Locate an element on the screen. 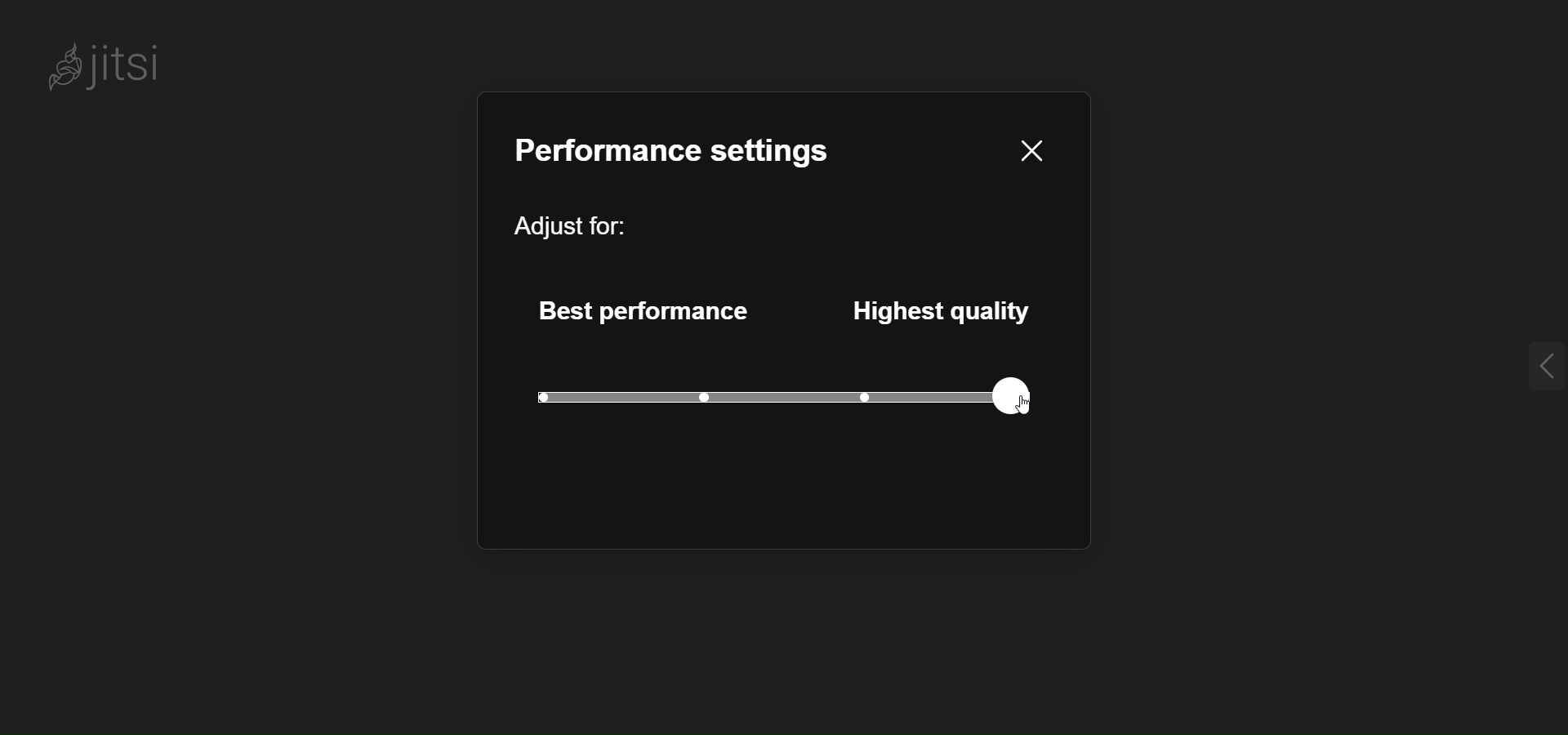 This screenshot has height=735, width=1568. highest quality is located at coordinates (947, 307).